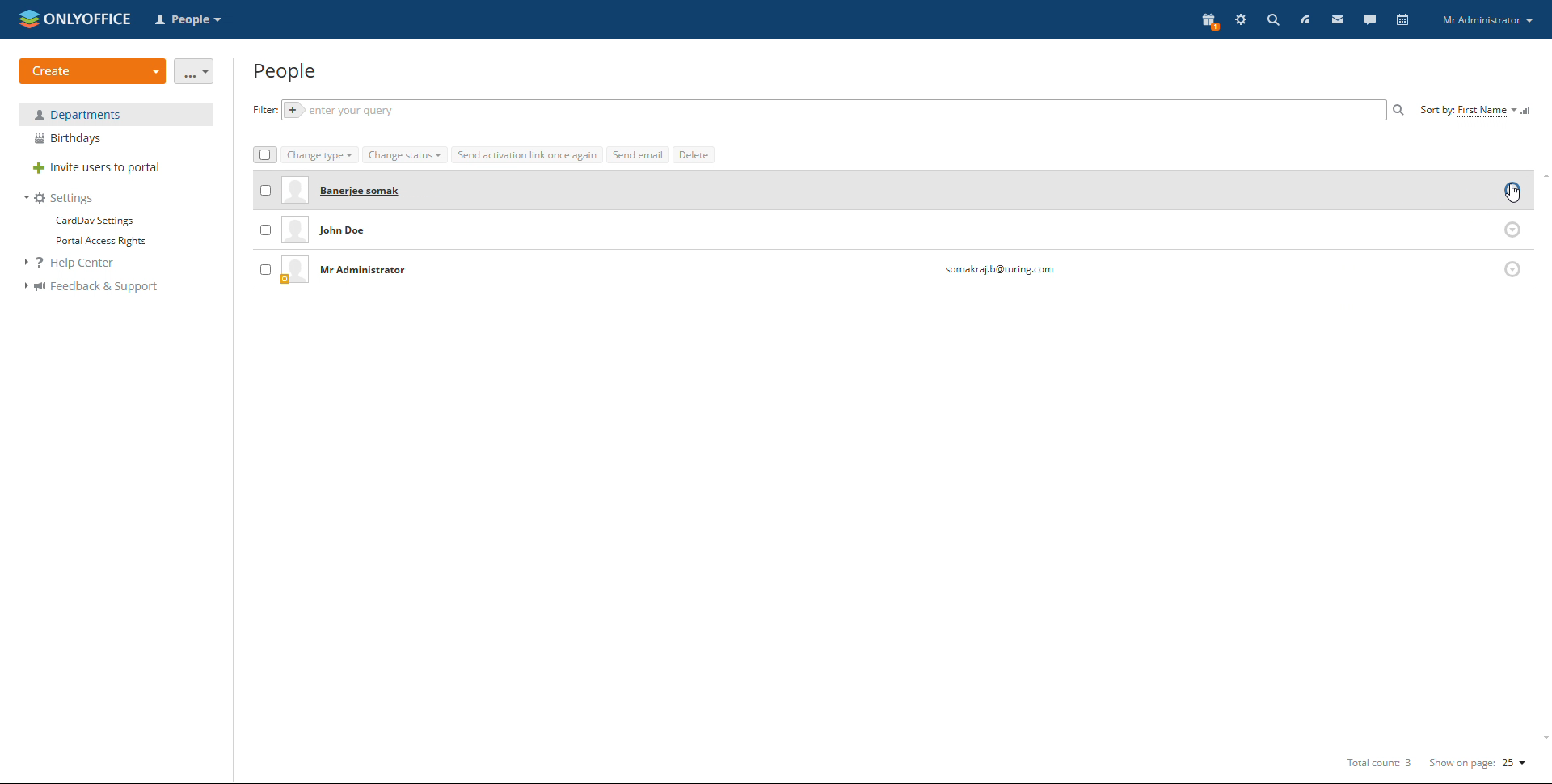  Describe the element at coordinates (294, 270) in the screenshot. I see `profile picture` at that location.